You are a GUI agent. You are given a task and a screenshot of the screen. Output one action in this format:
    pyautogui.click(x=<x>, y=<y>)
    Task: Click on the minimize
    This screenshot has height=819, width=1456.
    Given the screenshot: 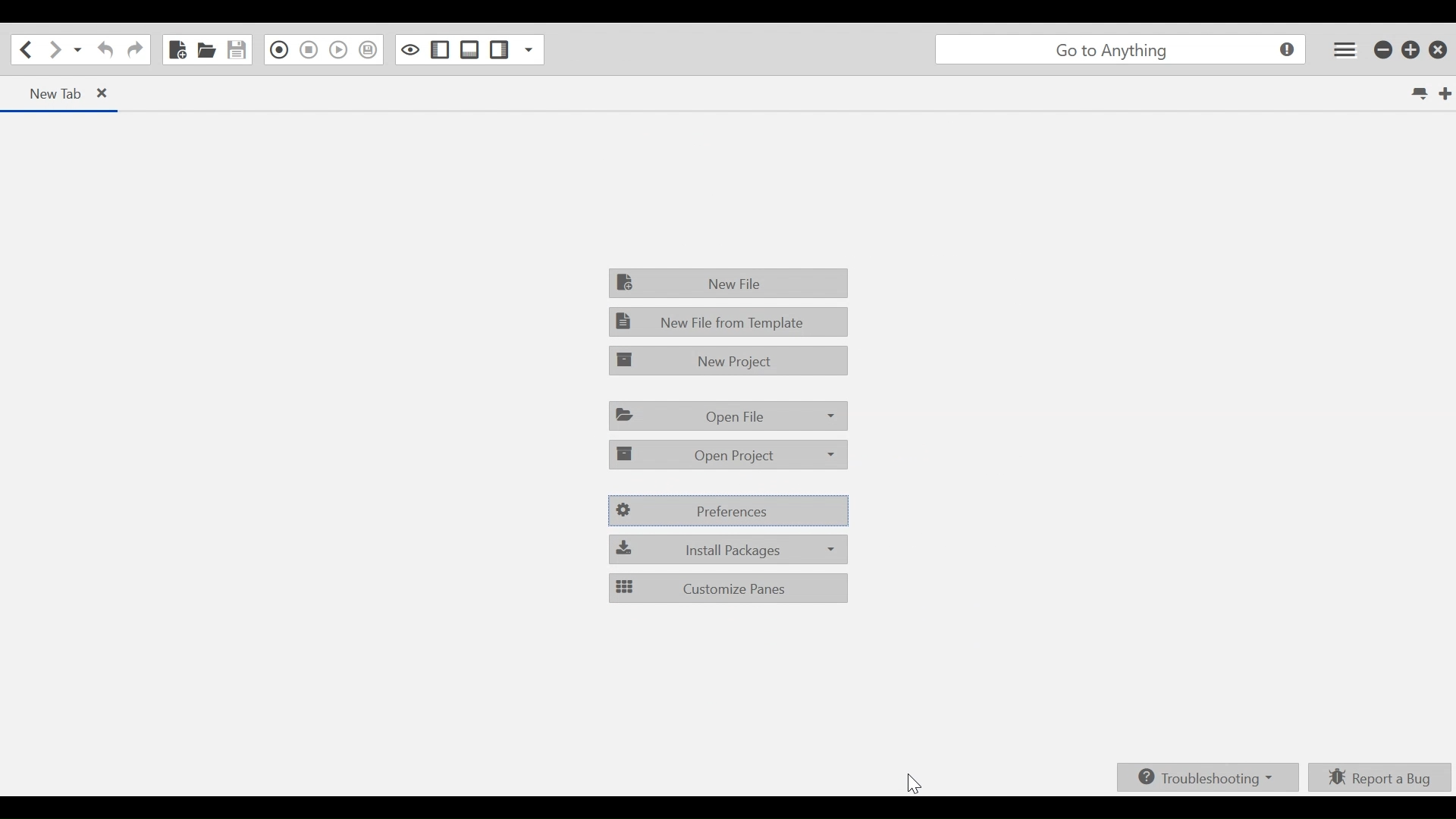 What is the action you would take?
    pyautogui.click(x=1385, y=50)
    